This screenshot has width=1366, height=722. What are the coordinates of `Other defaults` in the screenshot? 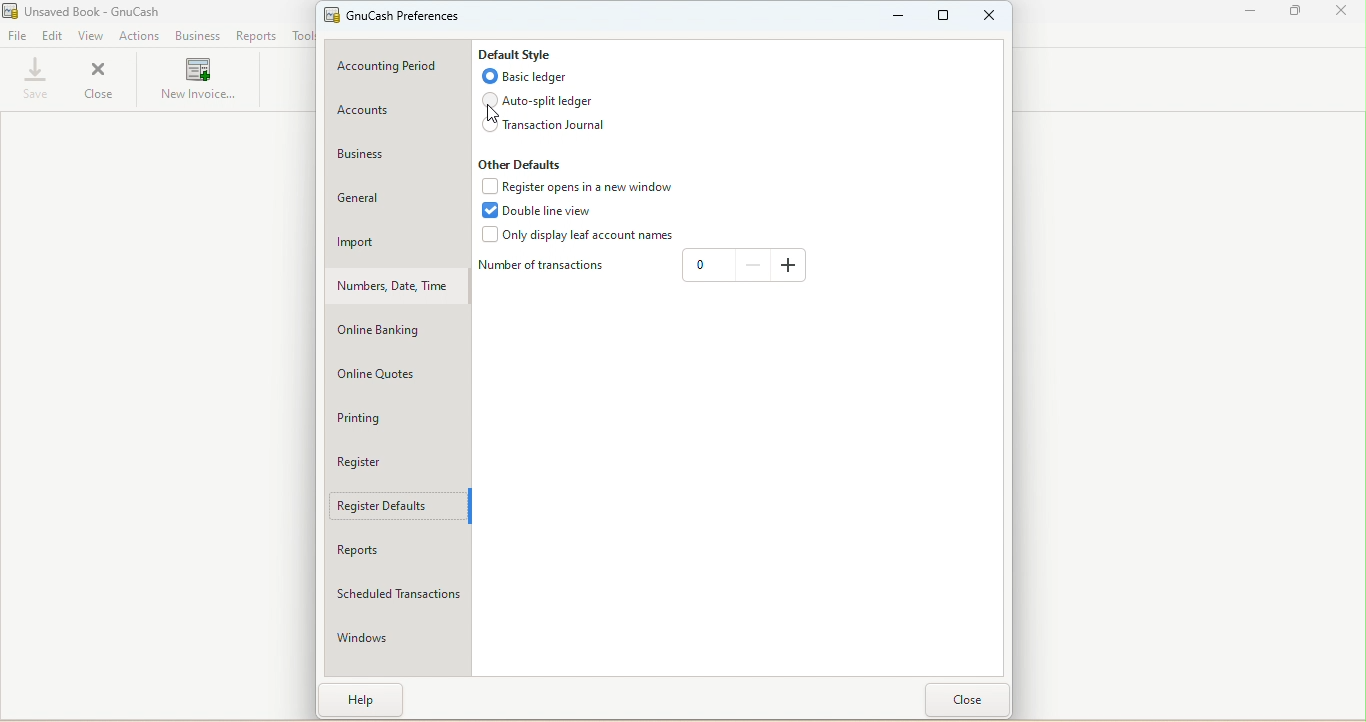 It's located at (522, 164).